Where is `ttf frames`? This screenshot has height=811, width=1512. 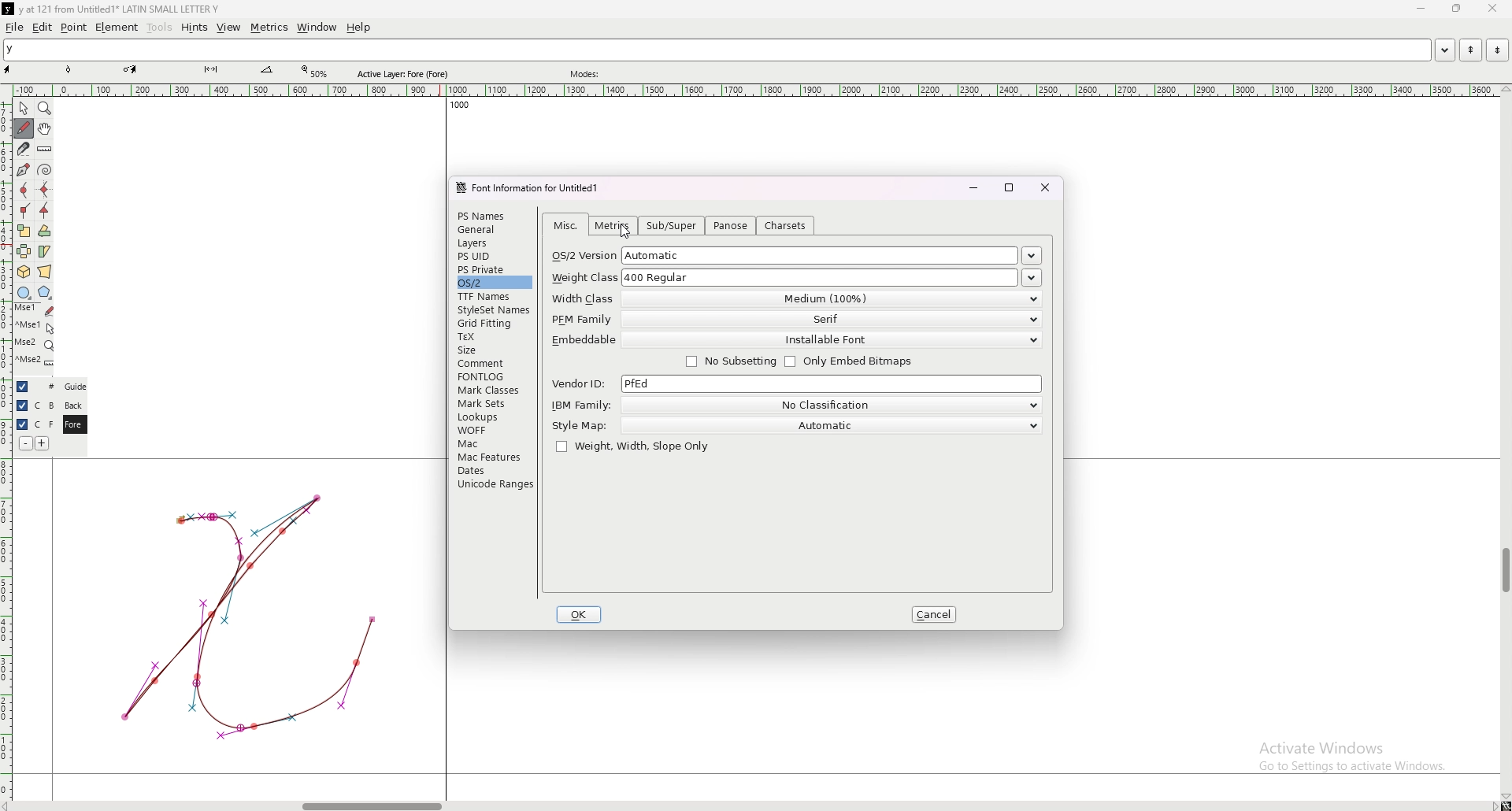 ttf frames is located at coordinates (492, 296).